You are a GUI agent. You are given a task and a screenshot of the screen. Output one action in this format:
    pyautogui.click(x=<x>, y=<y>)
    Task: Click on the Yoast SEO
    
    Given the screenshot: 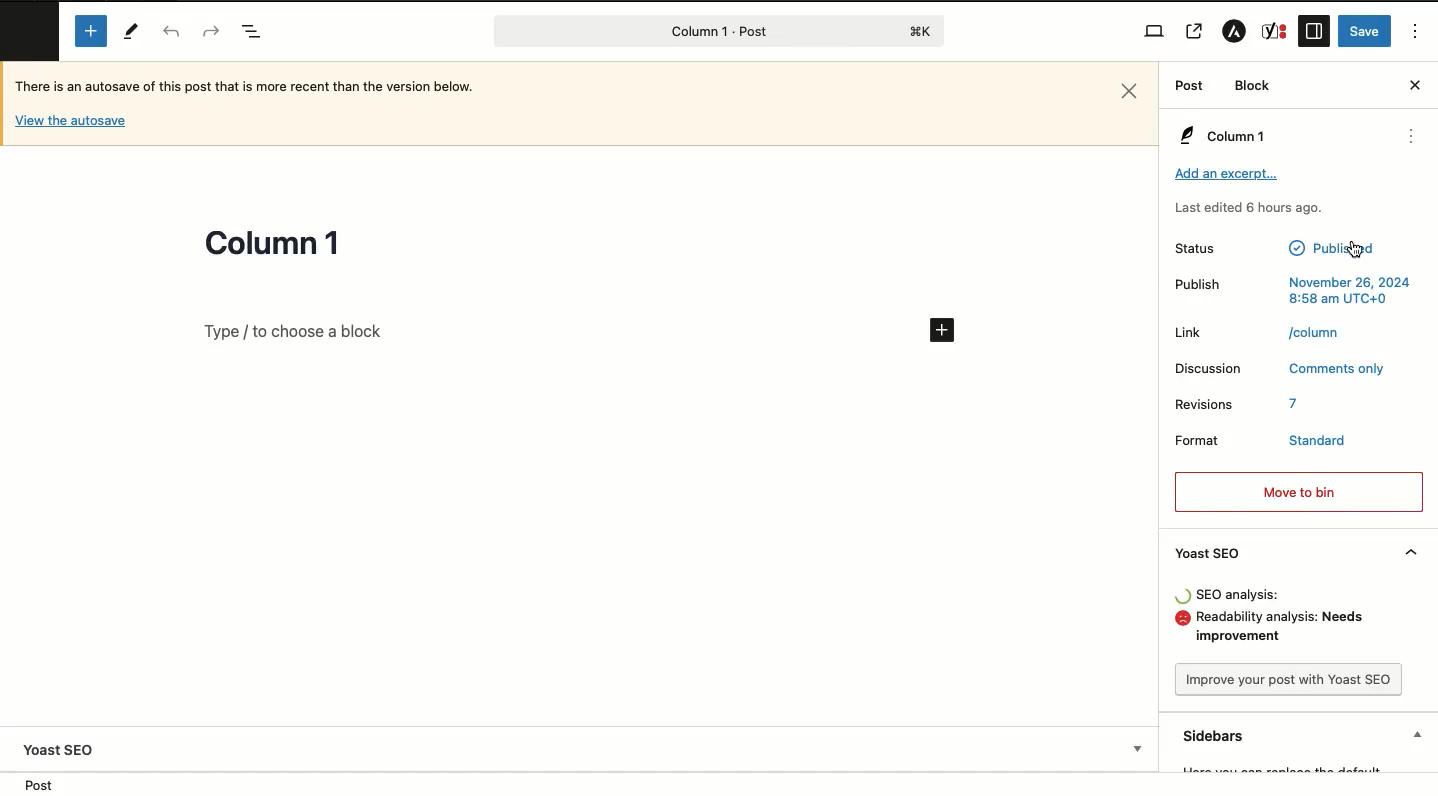 What is the action you would take?
    pyautogui.click(x=65, y=750)
    